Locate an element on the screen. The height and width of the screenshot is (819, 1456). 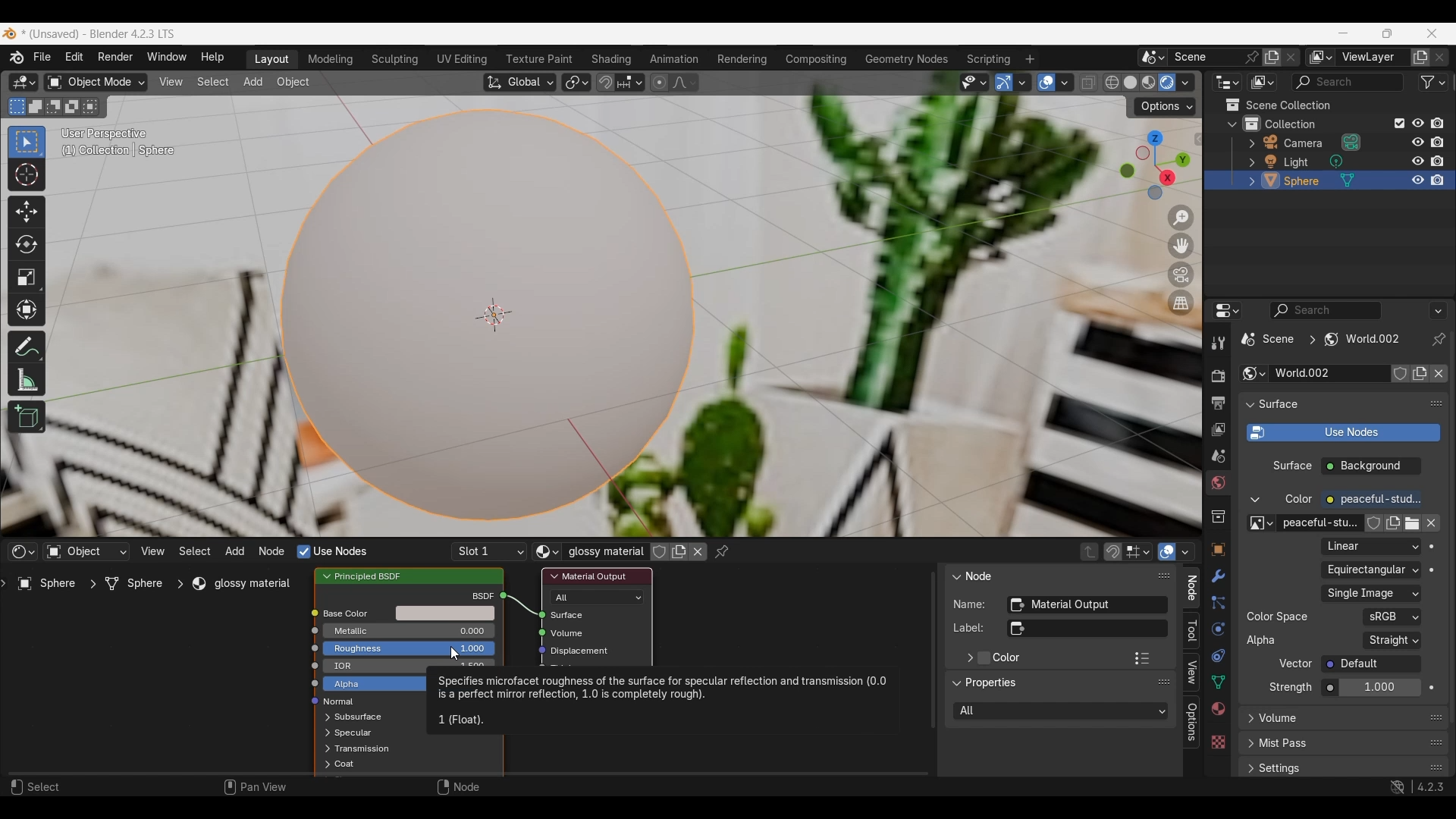
* (Unsaved) - Blender 4.2.3 LTS is located at coordinates (103, 34).